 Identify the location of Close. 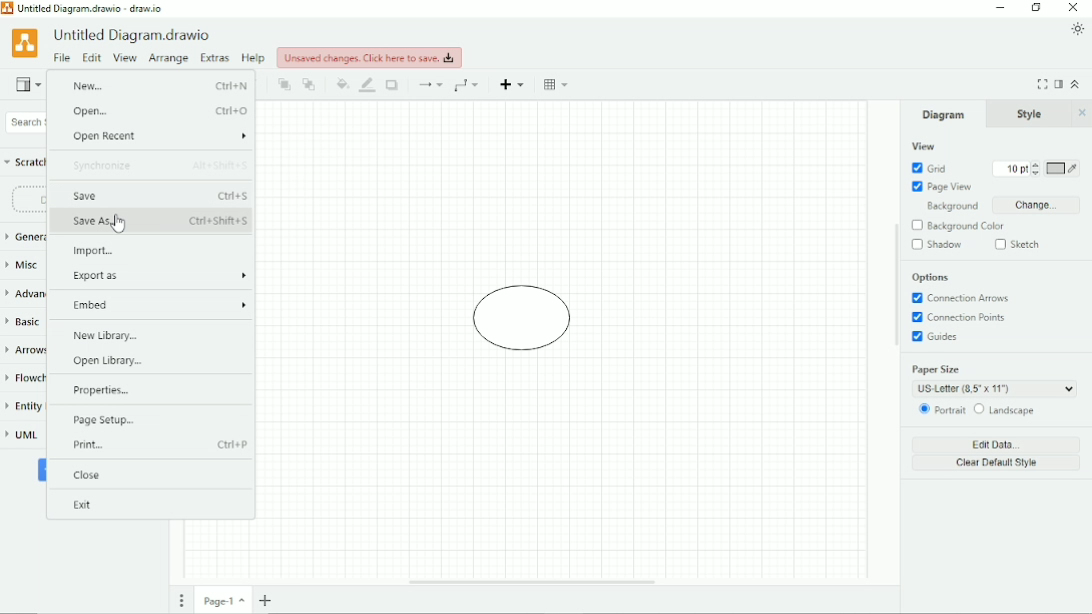
(1083, 113).